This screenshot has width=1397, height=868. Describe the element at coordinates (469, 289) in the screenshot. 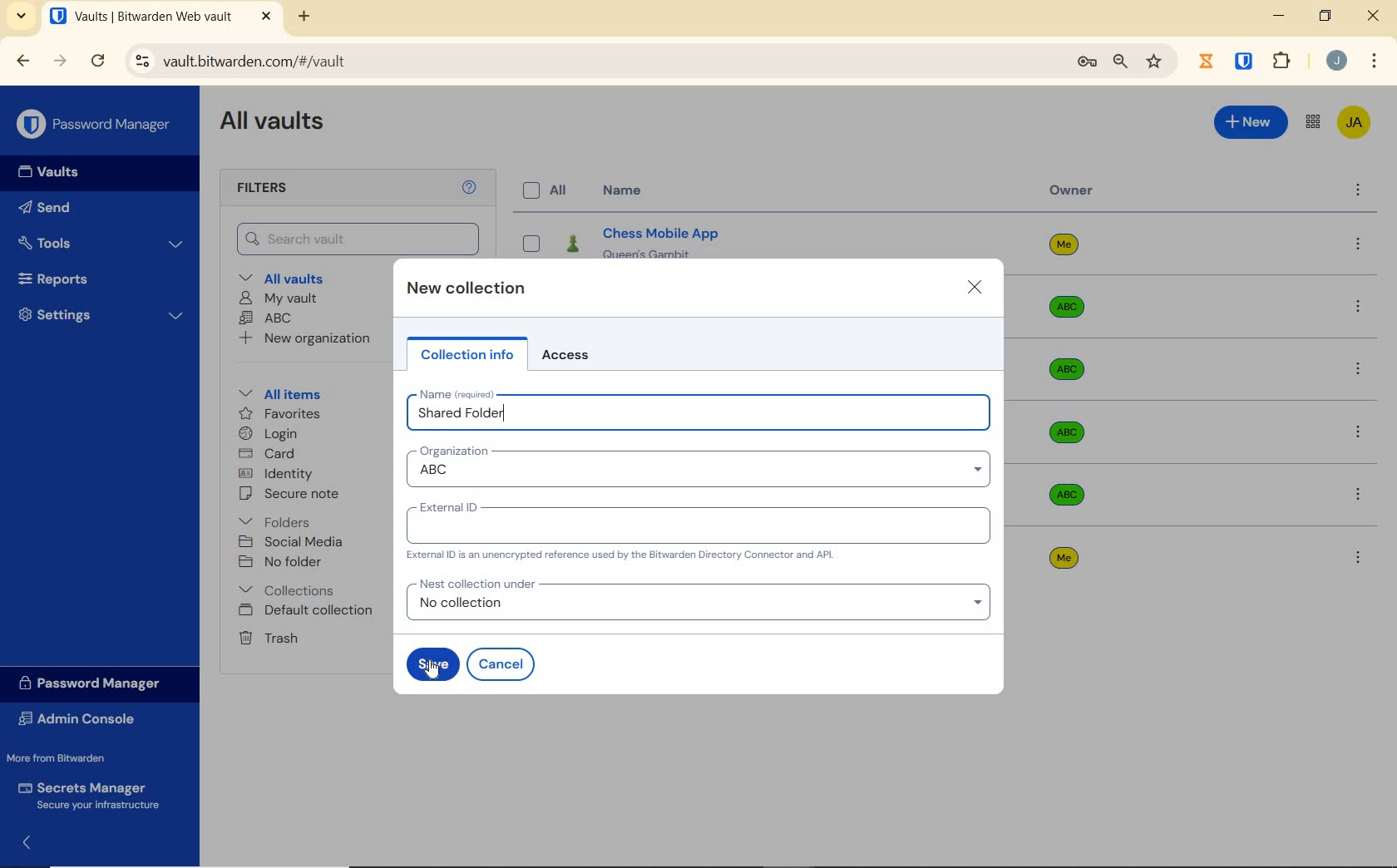

I see `New collection` at that location.